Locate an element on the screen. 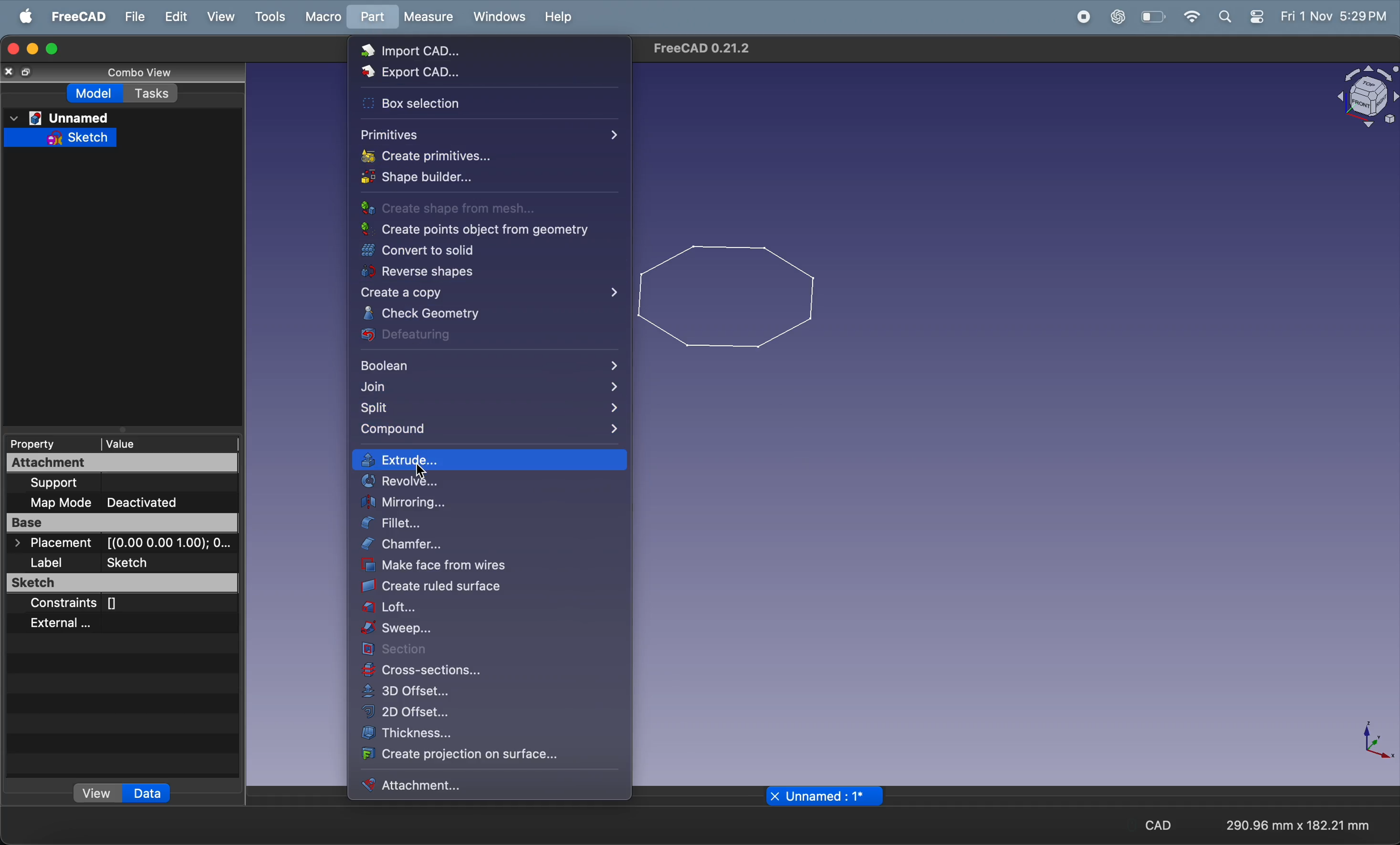 The height and width of the screenshot is (845, 1400). unnamed page name is located at coordinates (826, 797).